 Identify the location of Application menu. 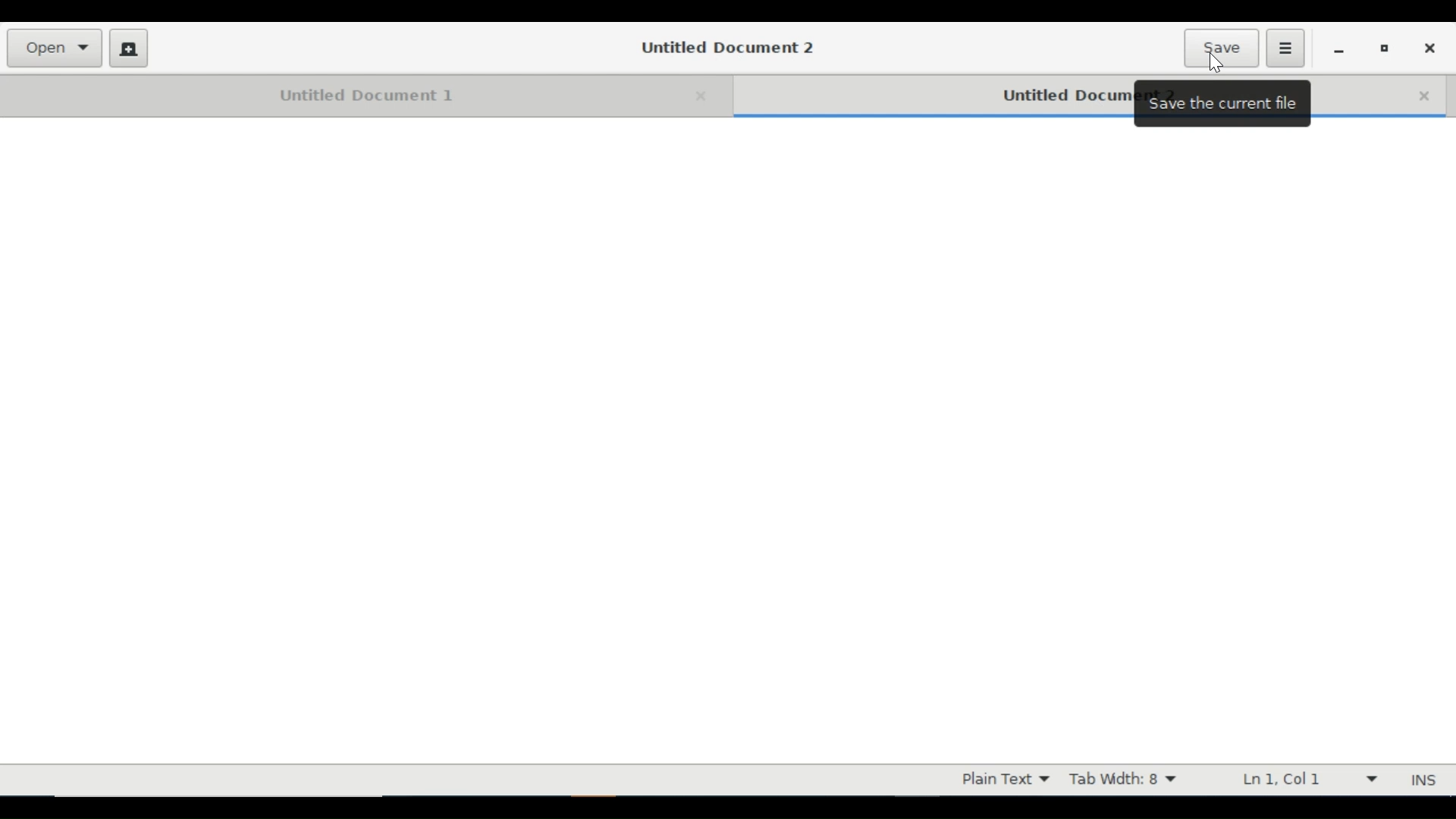
(1285, 47).